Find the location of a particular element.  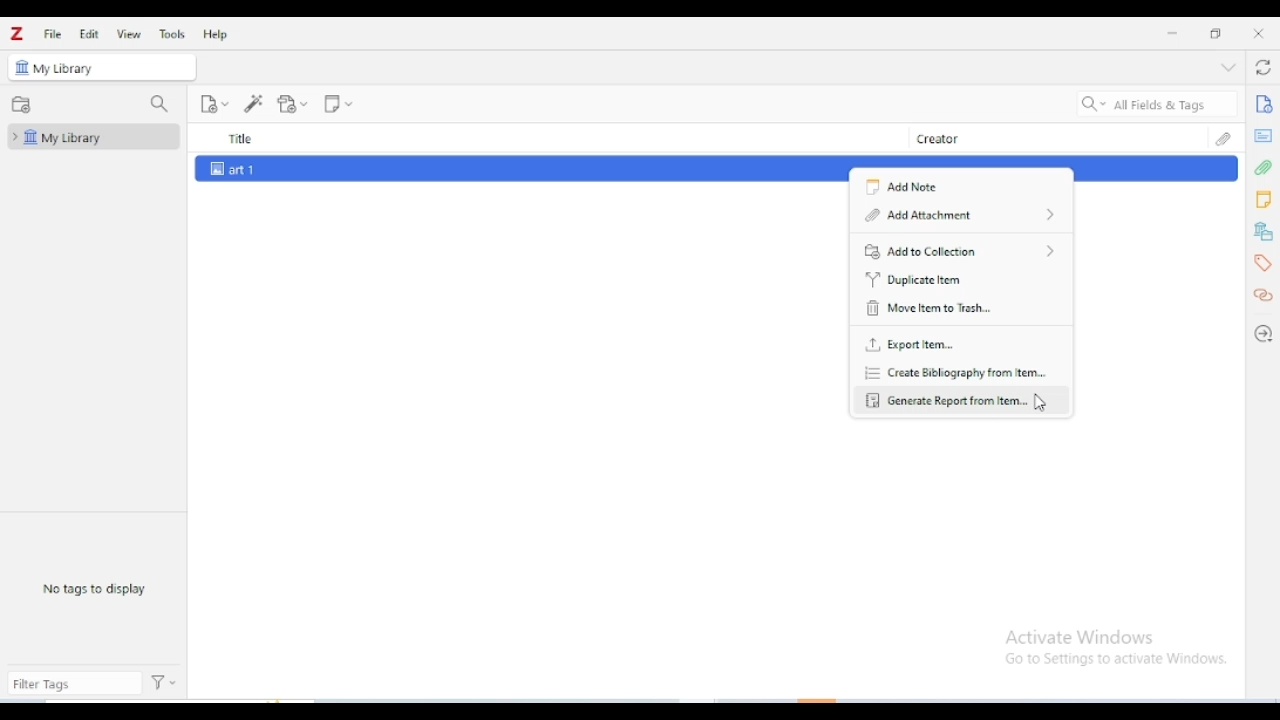

new item is located at coordinates (214, 104).